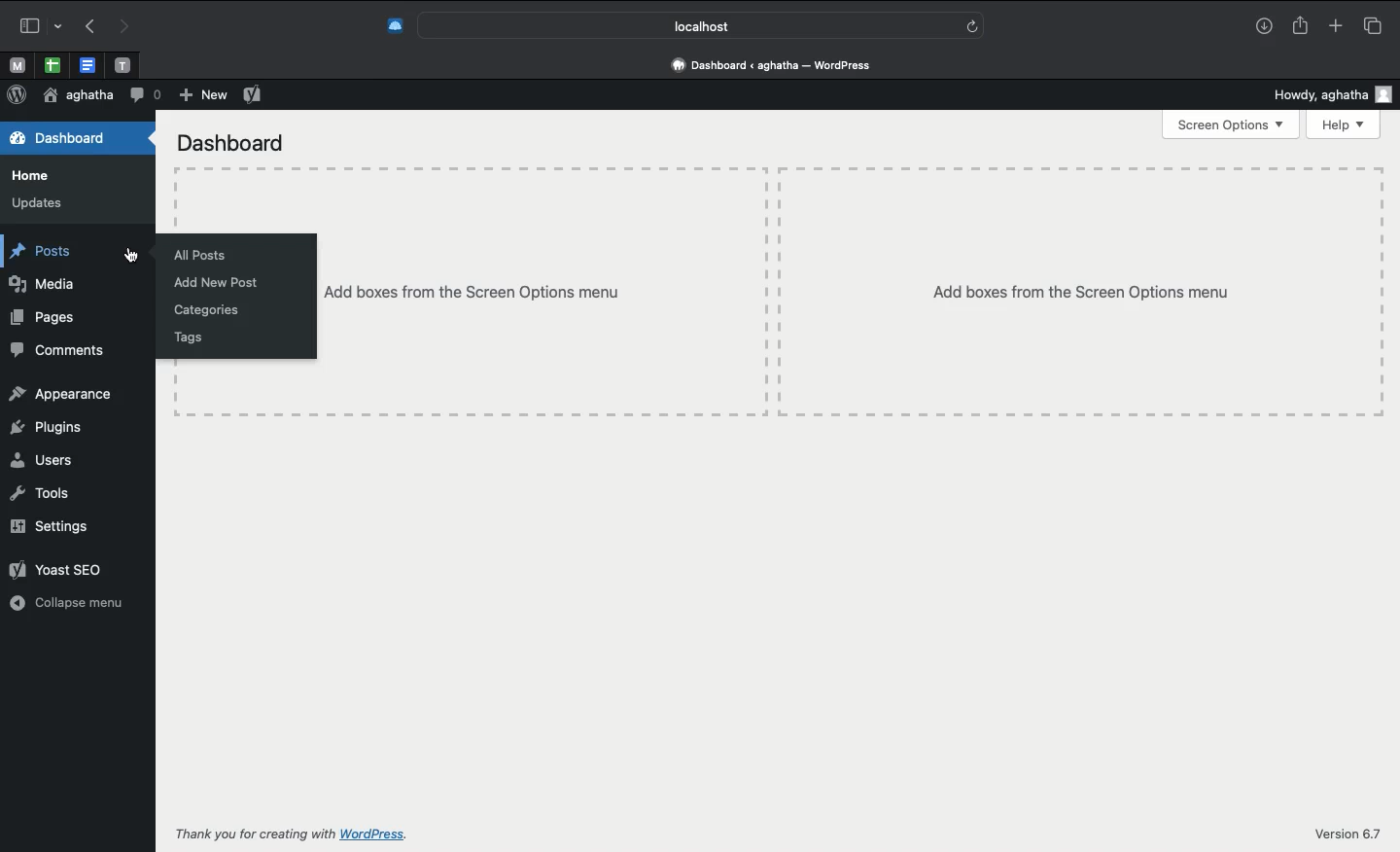 The image size is (1400, 852). Describe the element at coordinates (184, 337) in the screenshot. I see `Tags` at that location.